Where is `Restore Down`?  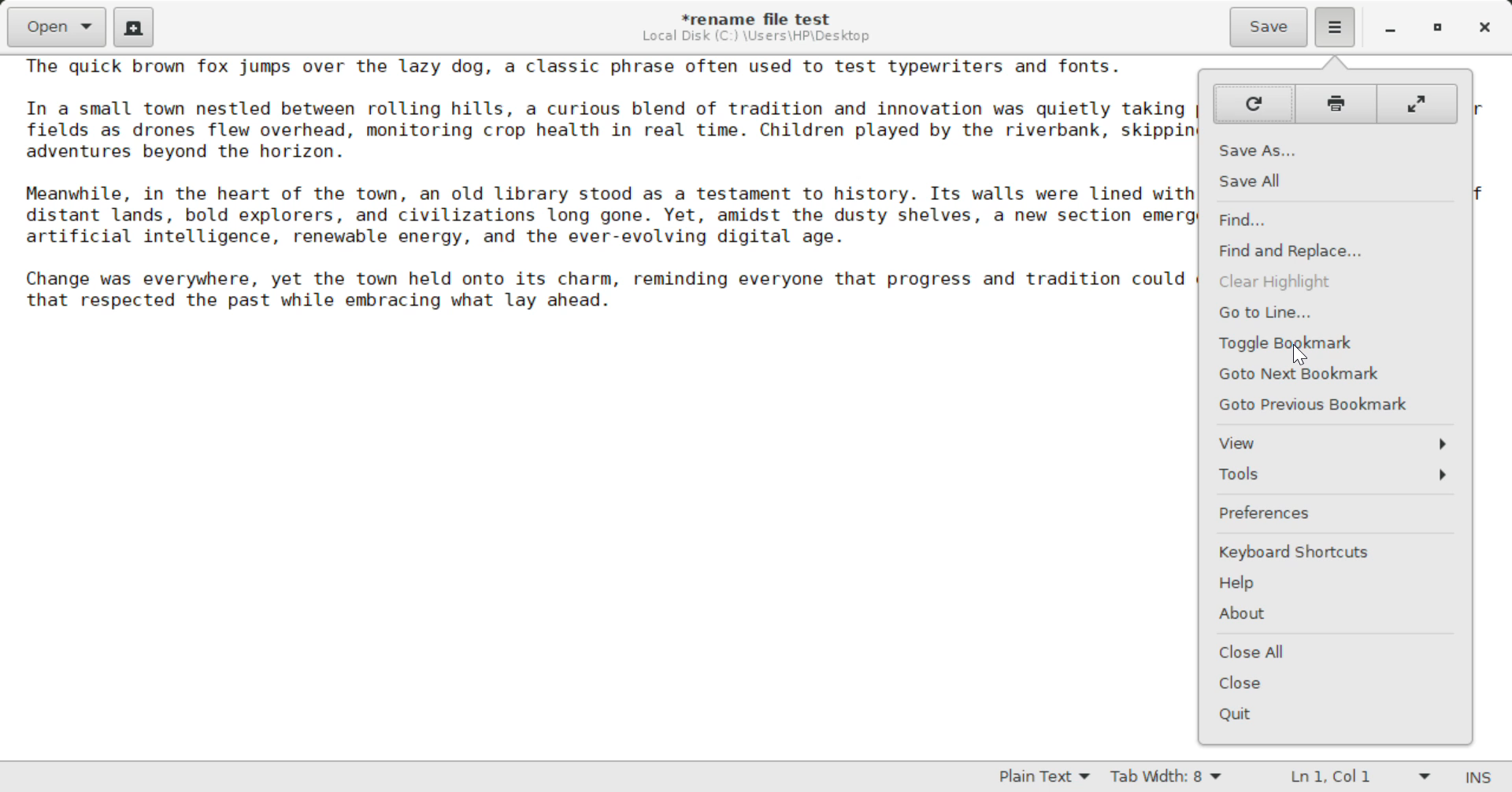
Restore Down is located at coordinates (1390, 29).